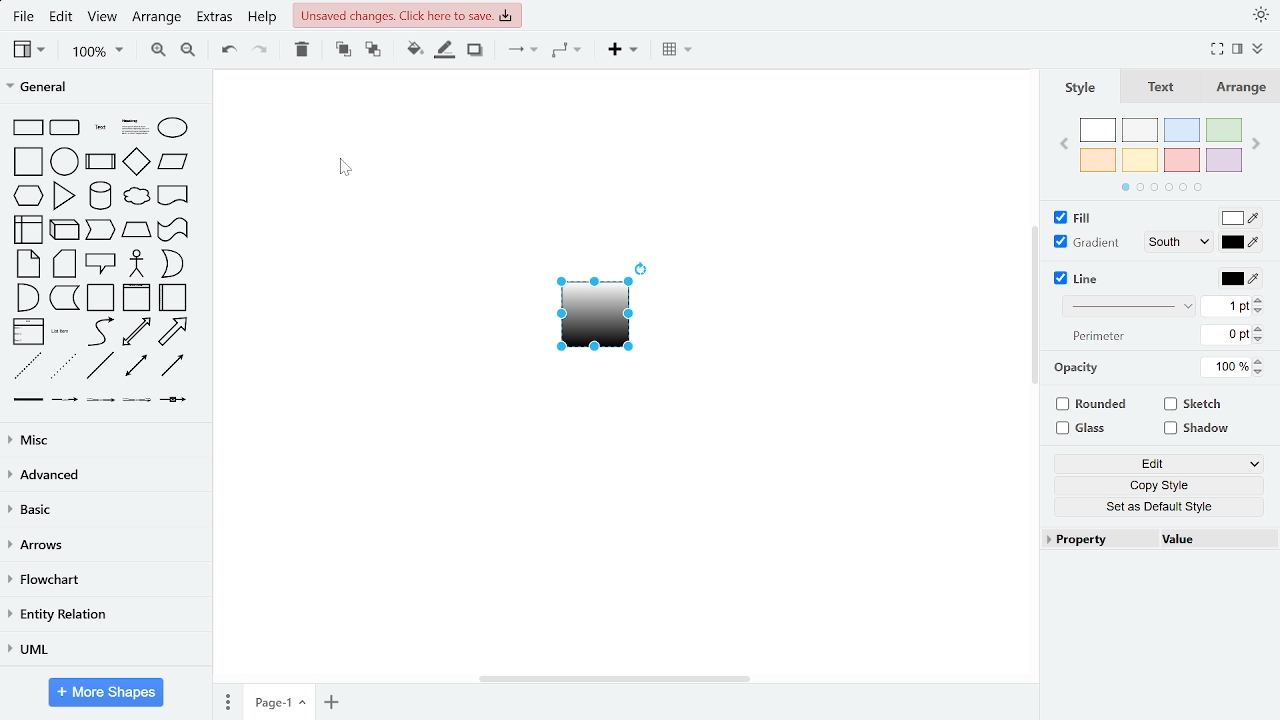  What do you see at coordinates (1259, 373) in the screenshot?
I see `decrease opacity` at bounding box center [1259, 373].